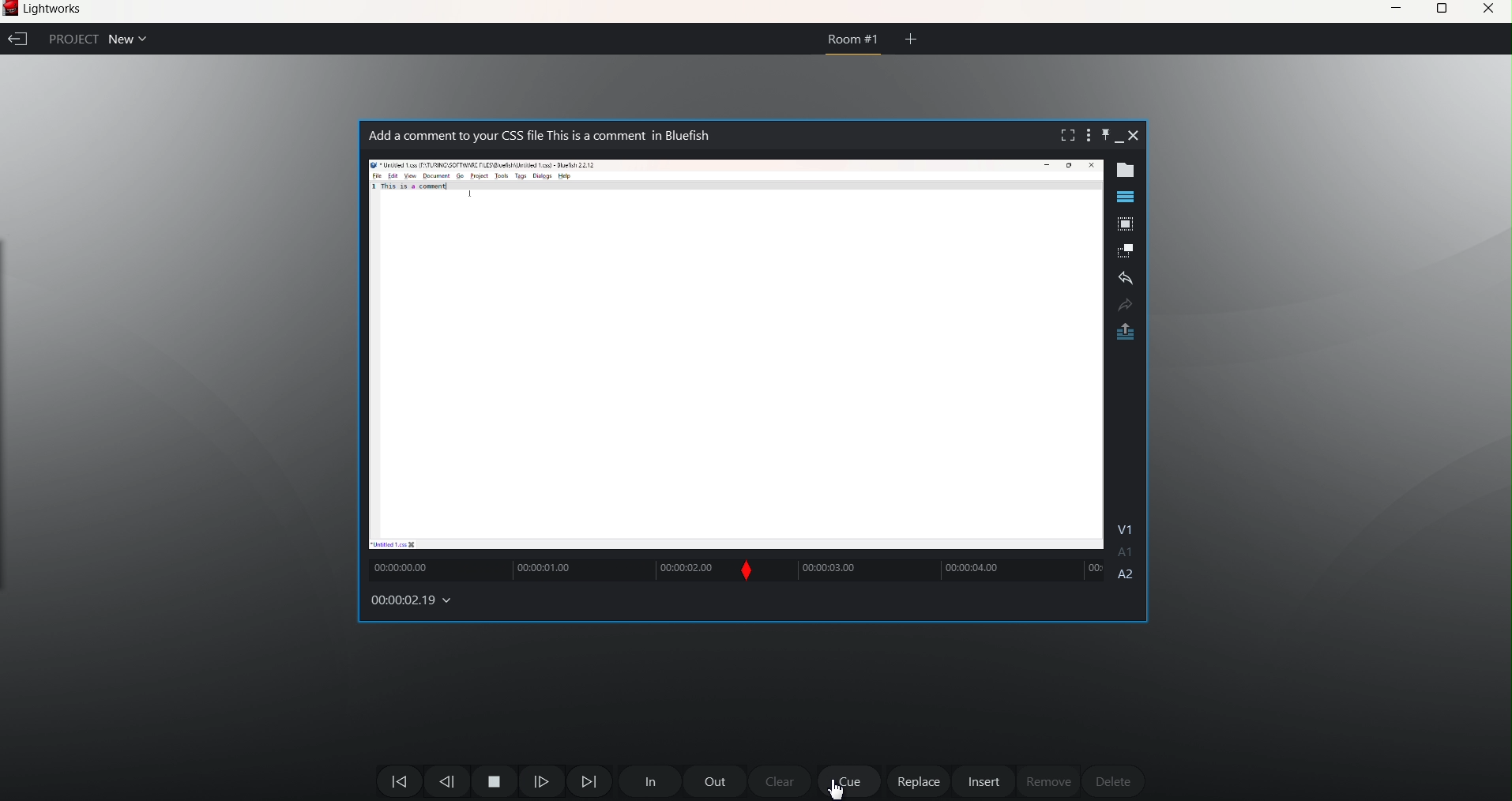 The width and height of the screenshot is (1512, 801). I want to click on fullscreen, so click(1064, 135).